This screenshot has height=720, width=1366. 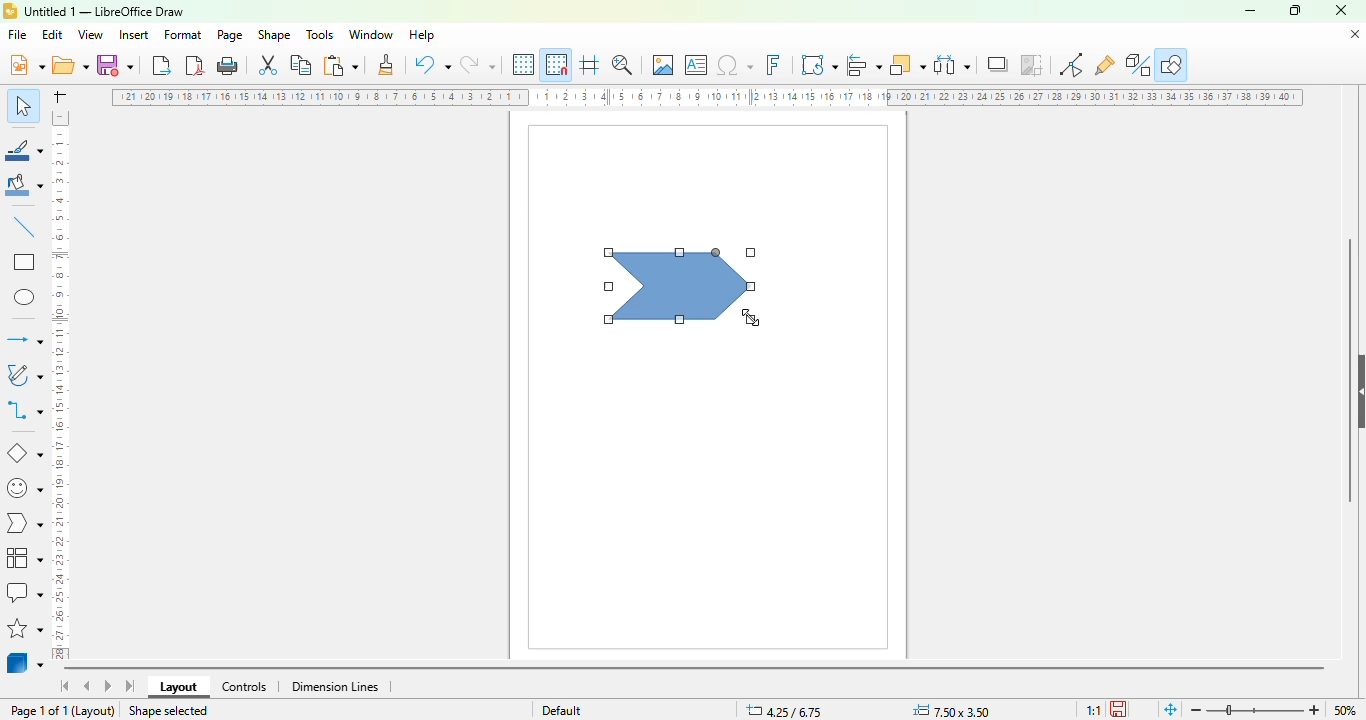 What do you see at coordinates (590, 64) in the screenshot?
I see `helplines while moving` at bounding box center [590, 64].